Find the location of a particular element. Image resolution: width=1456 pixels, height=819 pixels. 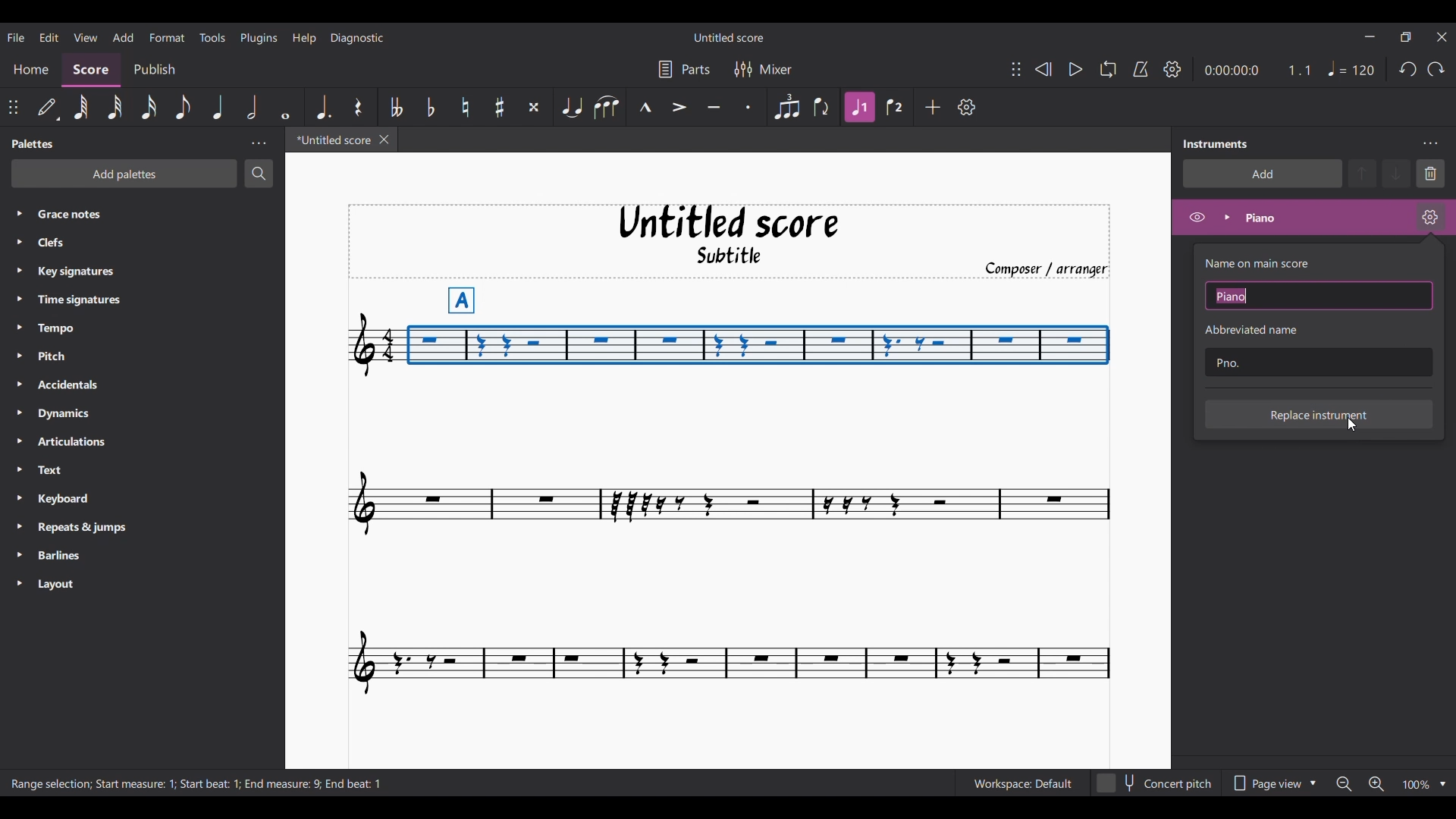

Palette title is located at coordinates (34, 144).